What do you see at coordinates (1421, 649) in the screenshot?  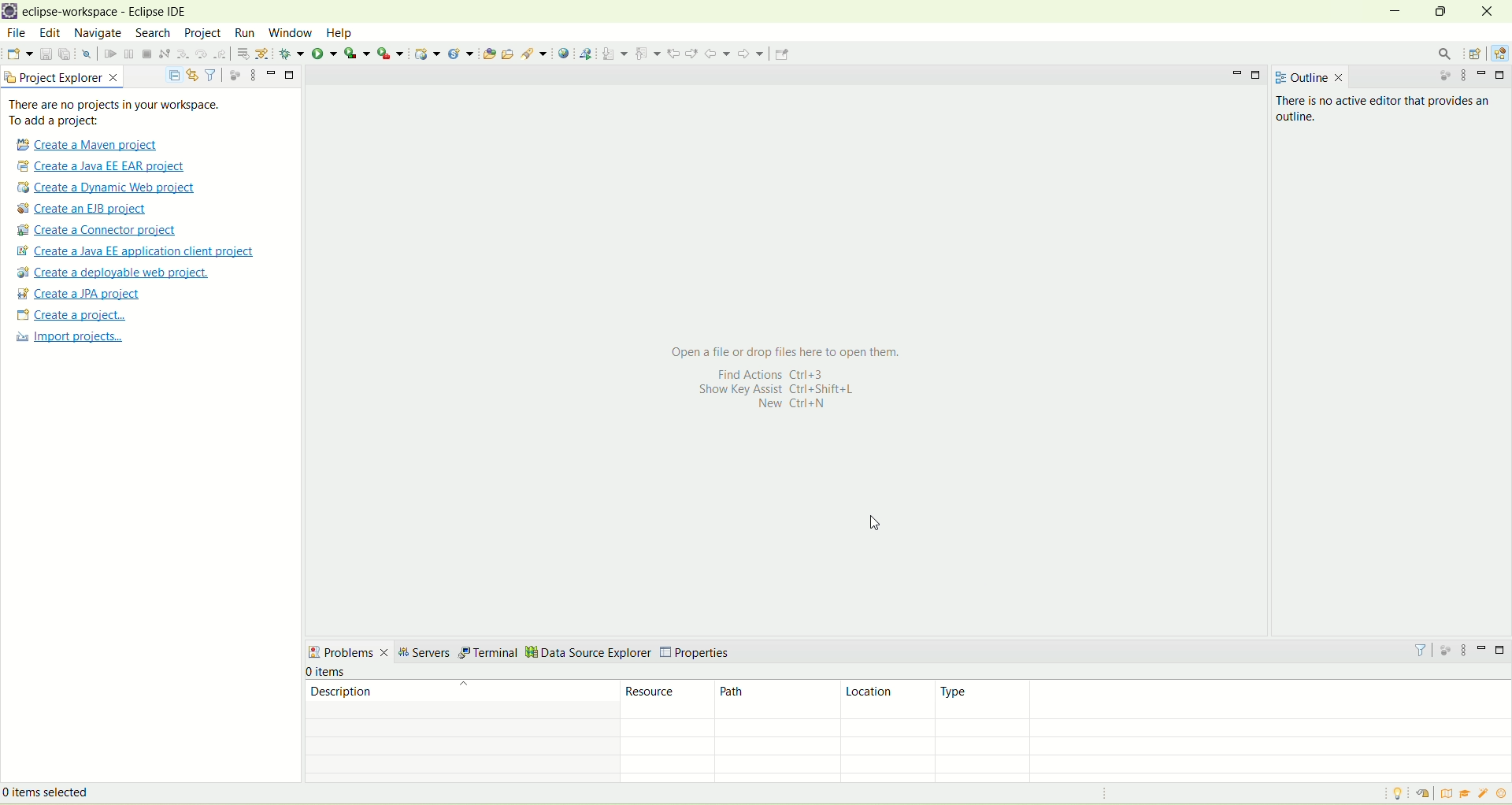 I see `filter` at bounding box center [1421, 649].